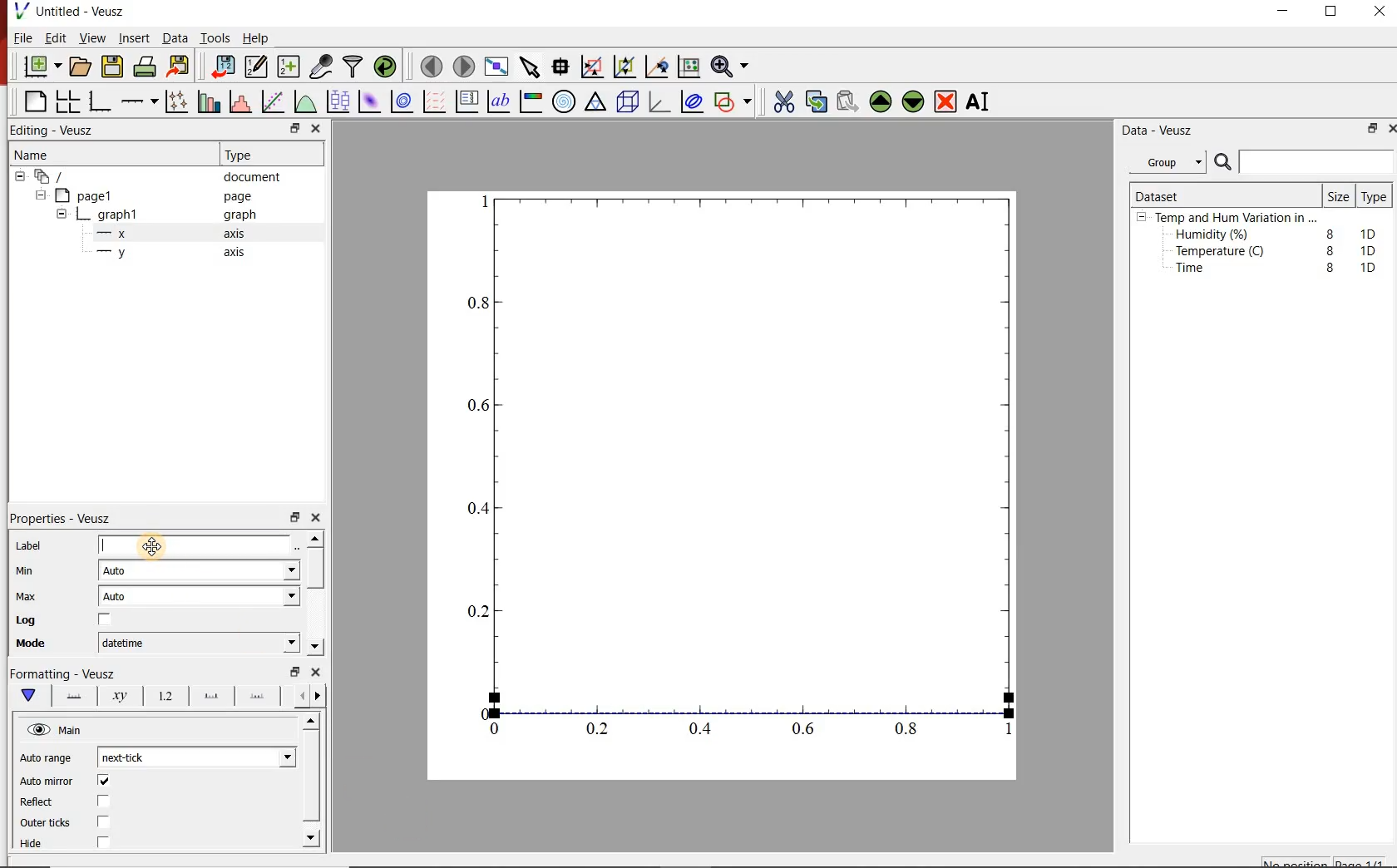  Describe the element at coordinates (534, 101) in the screenshot. I see `image color bar` at that location.